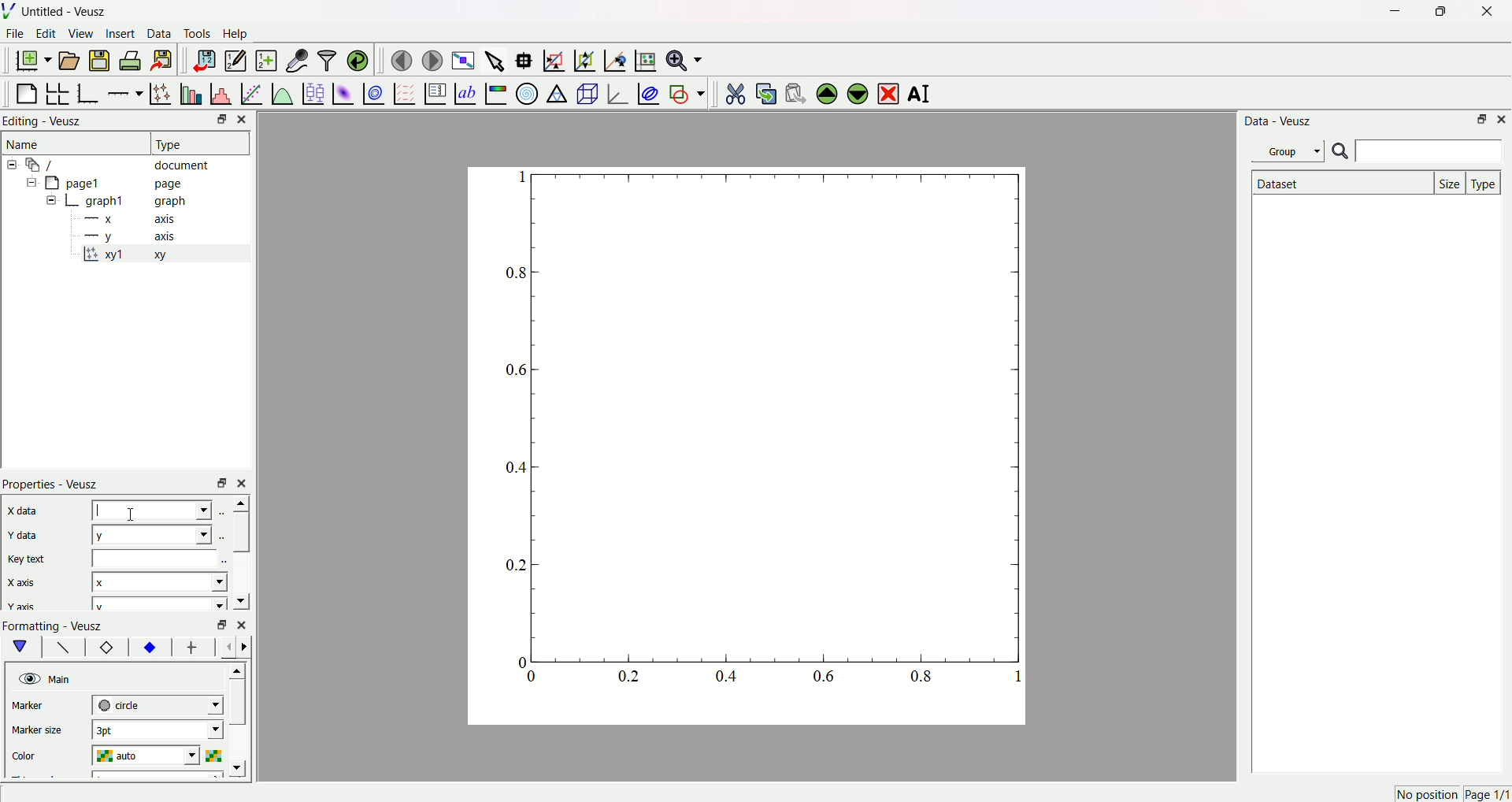 The image size is (1512, 802). What do you see at coordinates (70, 60) in the screenshot?
I see `open document` at bounding box center [70, 60].